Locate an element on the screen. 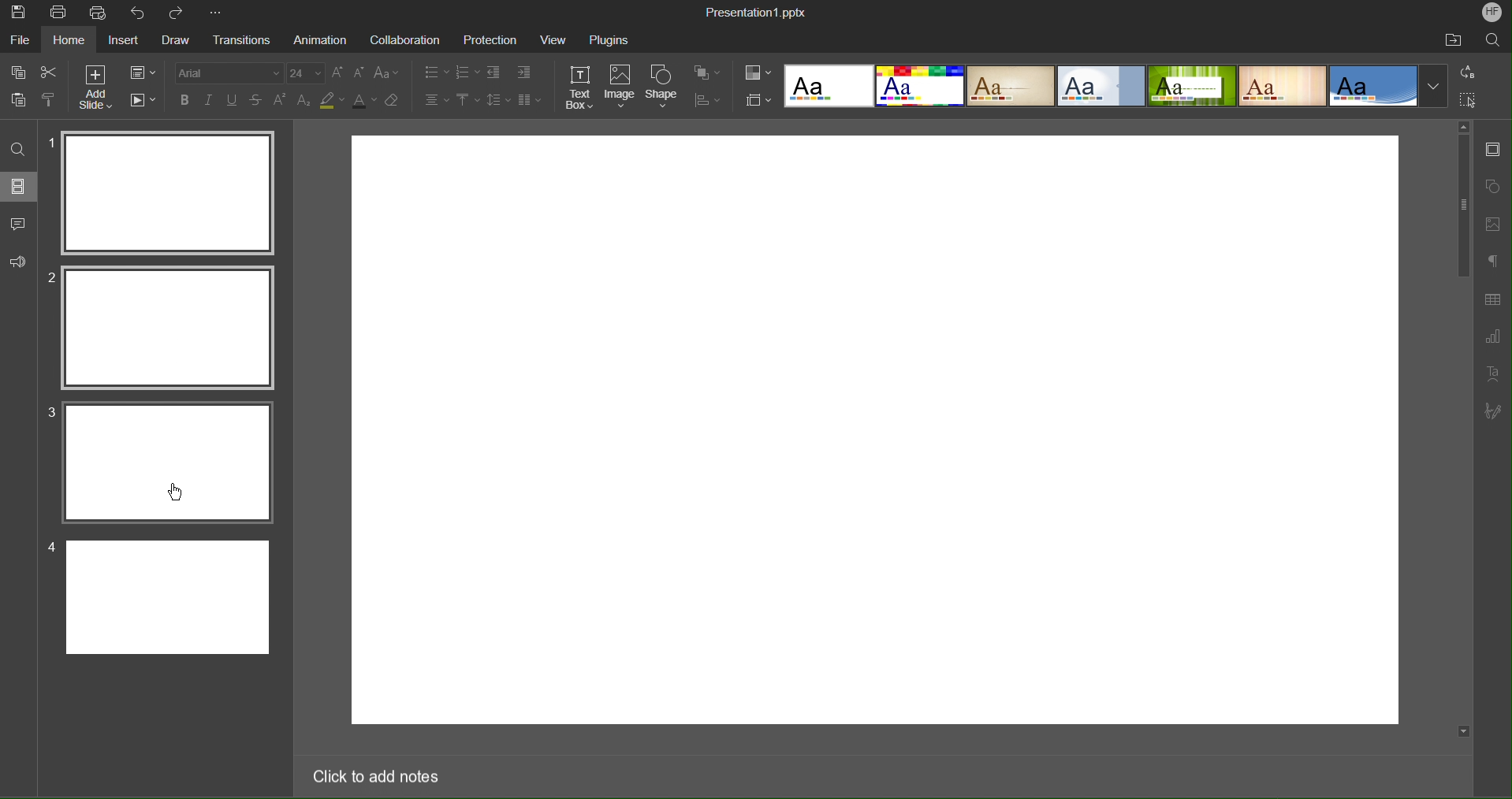 The width and height of the screenshot is (1512, 799). subscript is located at coordinates (306, 101).